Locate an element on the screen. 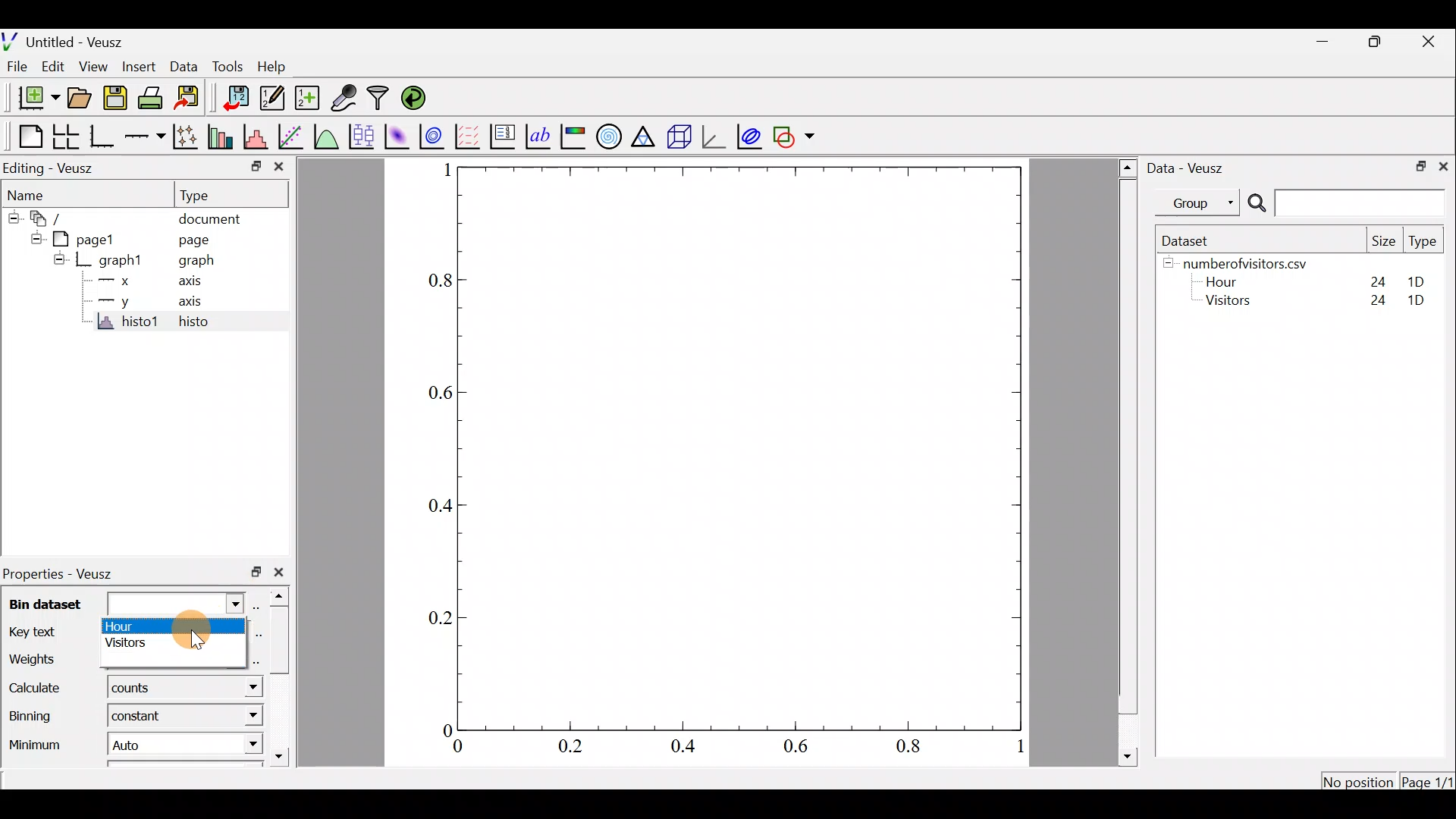 This screenshot has height=819, width=1456. add a shape to the plot is located at coordinates (795, 137).